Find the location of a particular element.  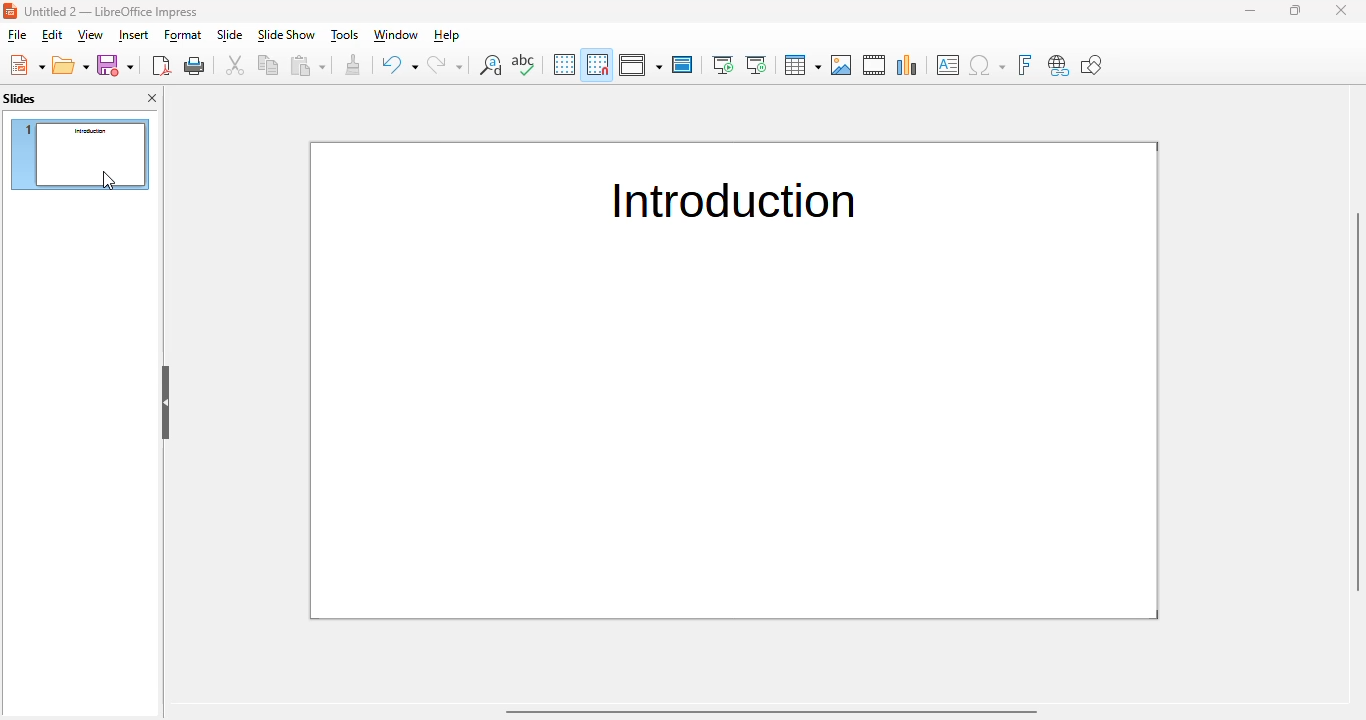

table is located at coordinates (802, 65).